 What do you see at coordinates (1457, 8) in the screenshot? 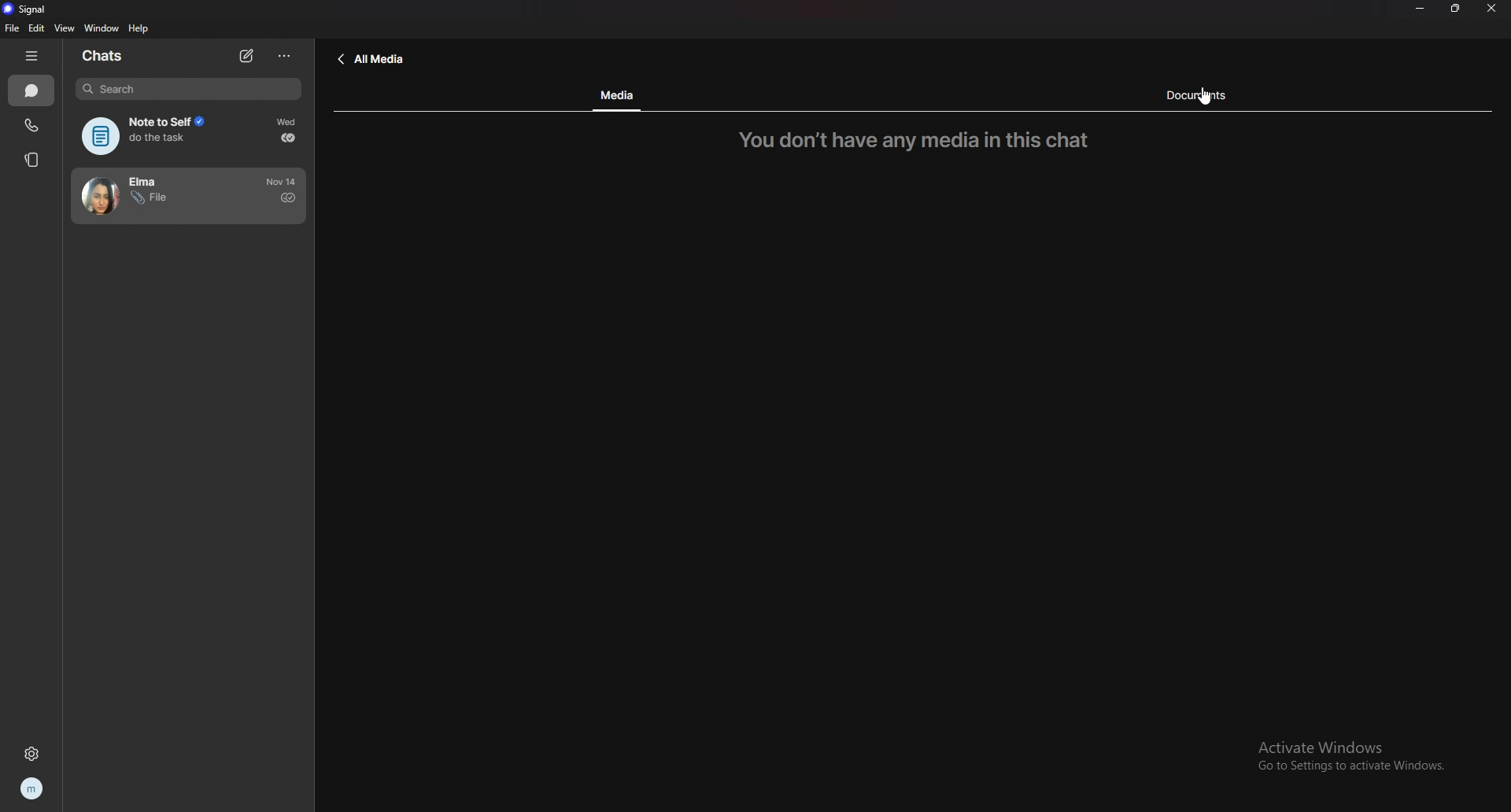
I see `resize` at bounding box center [1457, 8].